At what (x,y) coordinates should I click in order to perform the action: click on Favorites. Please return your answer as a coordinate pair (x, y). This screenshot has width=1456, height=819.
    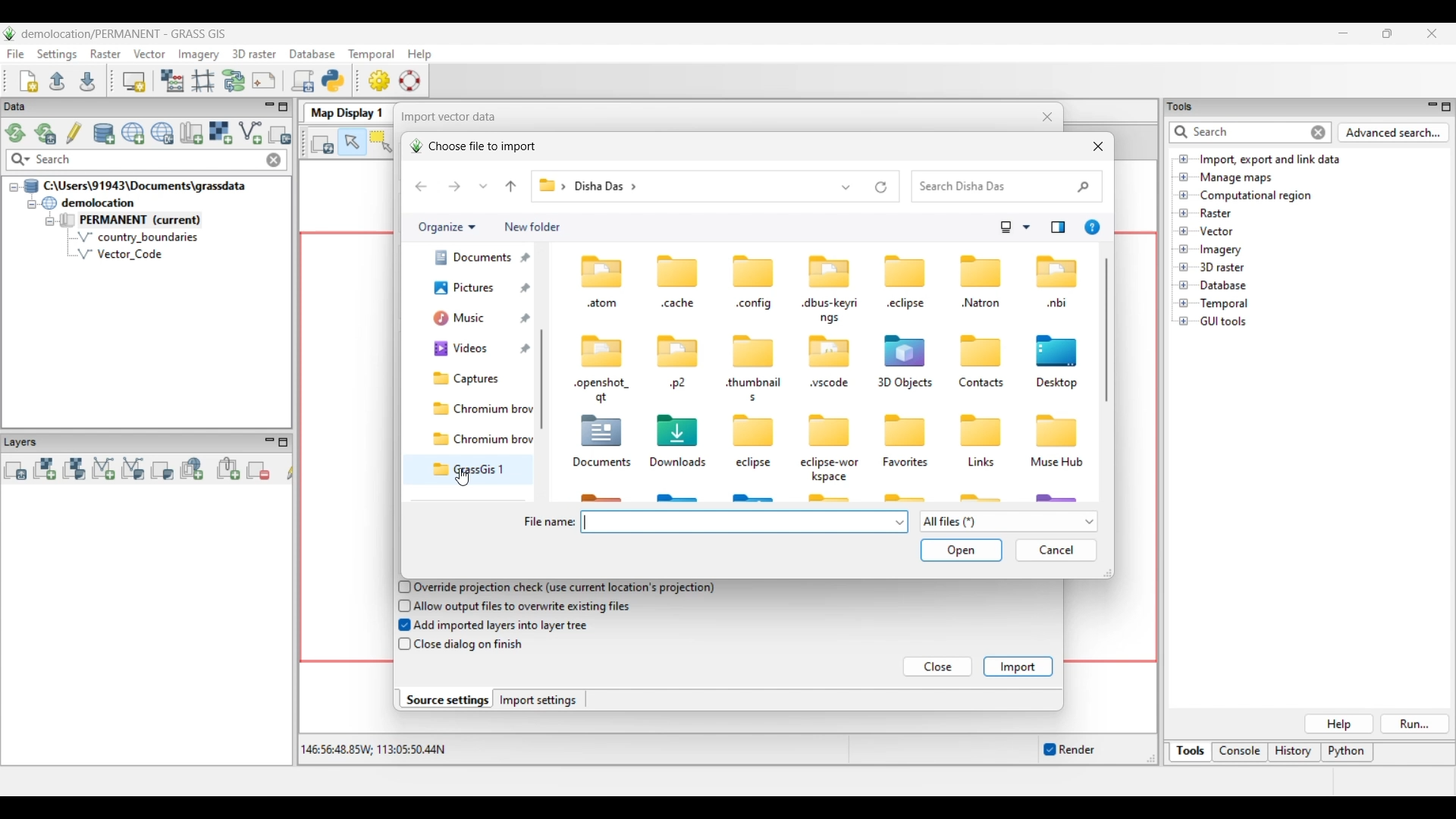
    Looking at the image, I should click on (908, 463).